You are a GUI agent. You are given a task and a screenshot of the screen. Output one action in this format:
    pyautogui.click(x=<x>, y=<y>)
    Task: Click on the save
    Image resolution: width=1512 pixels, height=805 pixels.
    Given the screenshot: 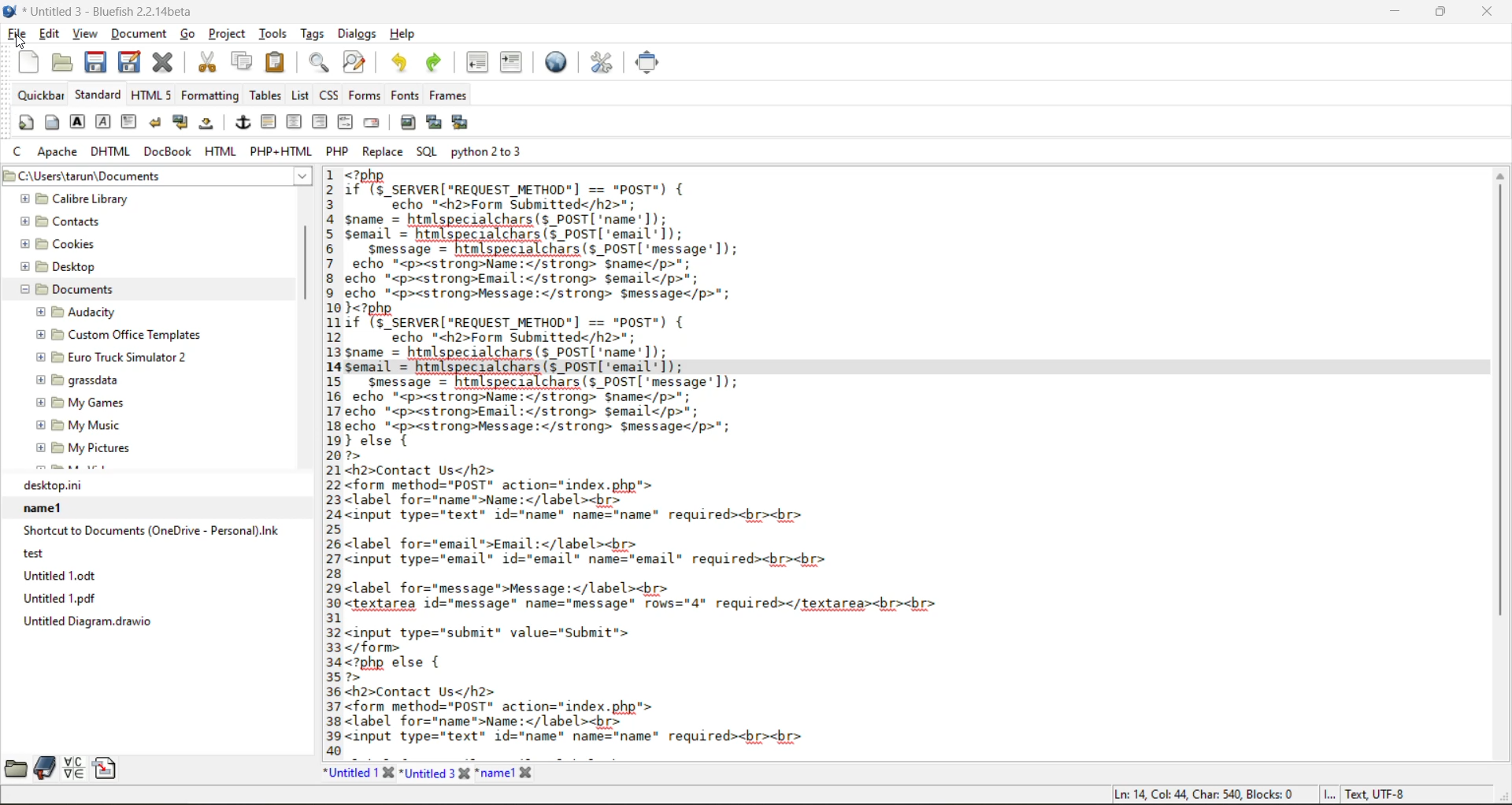 What is the action you would take?
    pyautogui.click(x=96, y=62)
    